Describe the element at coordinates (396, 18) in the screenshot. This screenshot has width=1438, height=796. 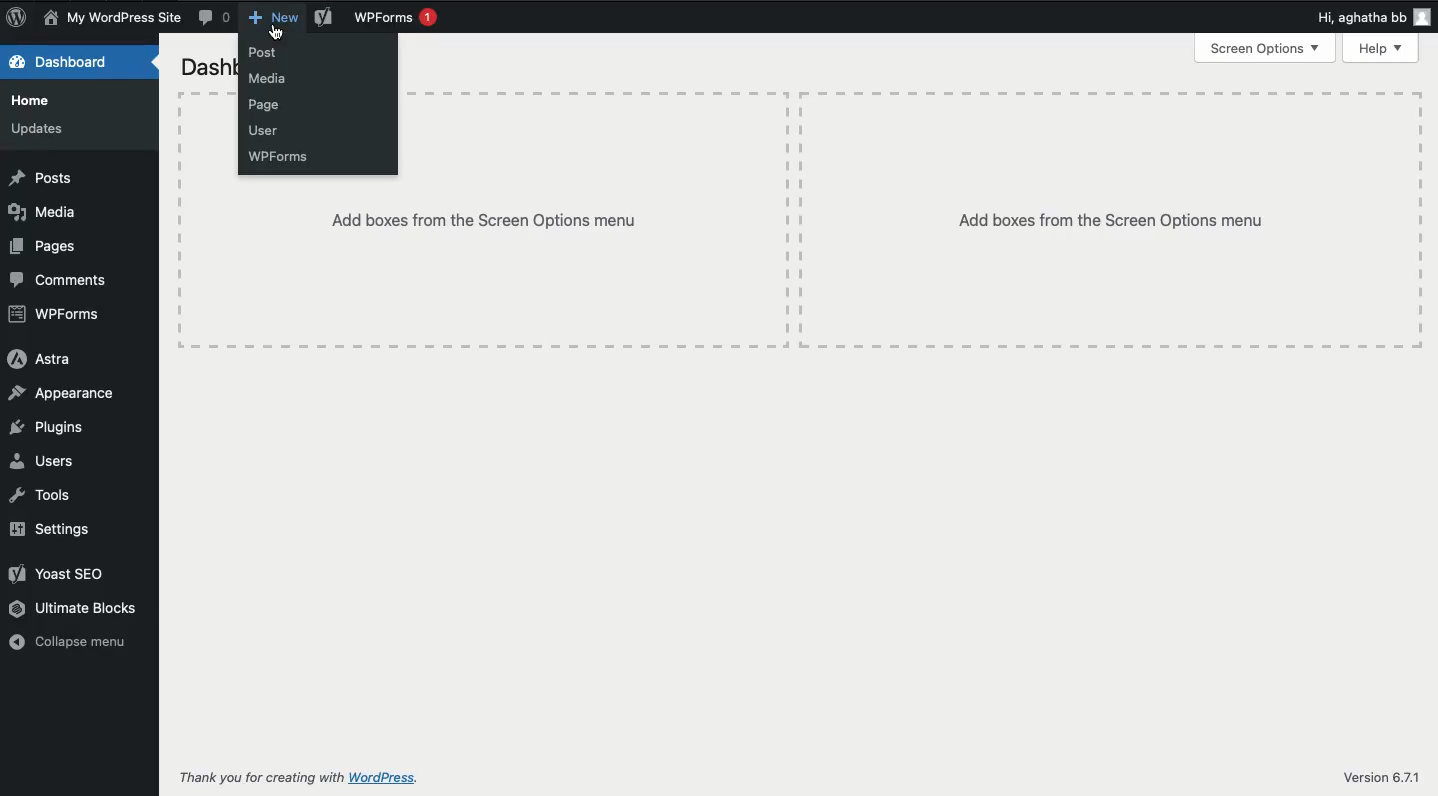
I see `WPForms` at that location.